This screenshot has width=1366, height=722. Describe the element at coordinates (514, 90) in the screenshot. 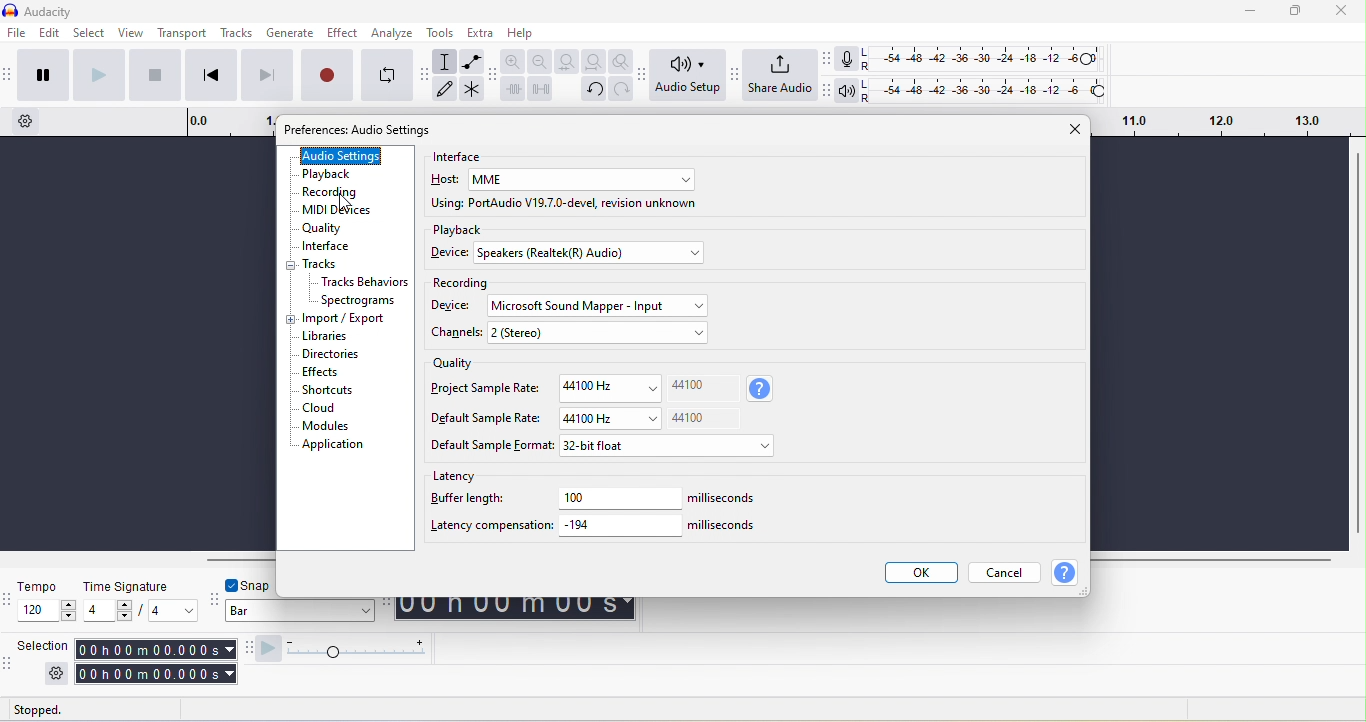

I see `trim audio outside selection` at that location.